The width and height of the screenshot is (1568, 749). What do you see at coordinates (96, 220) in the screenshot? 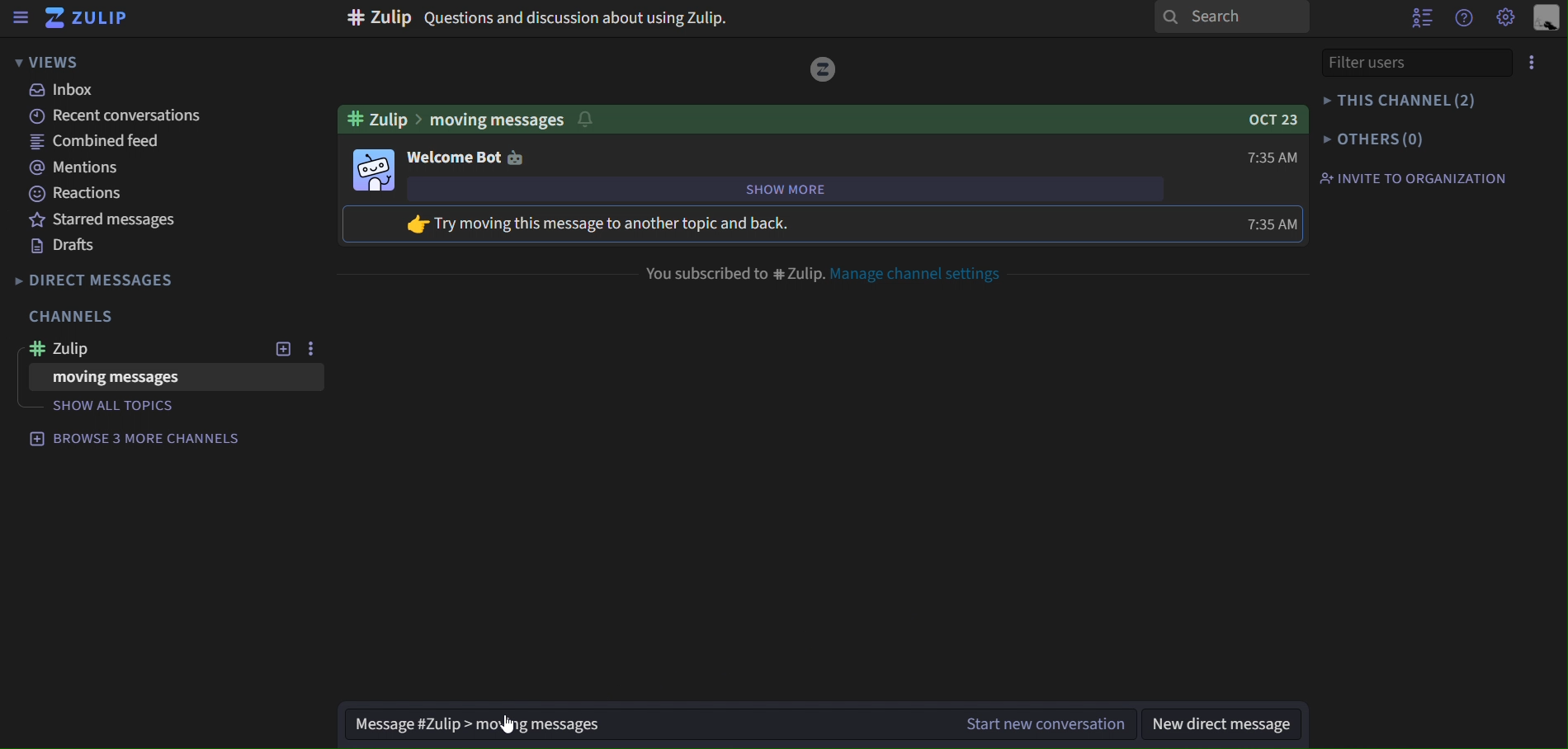
I see `starred messages` at bounding box center [96, 220].